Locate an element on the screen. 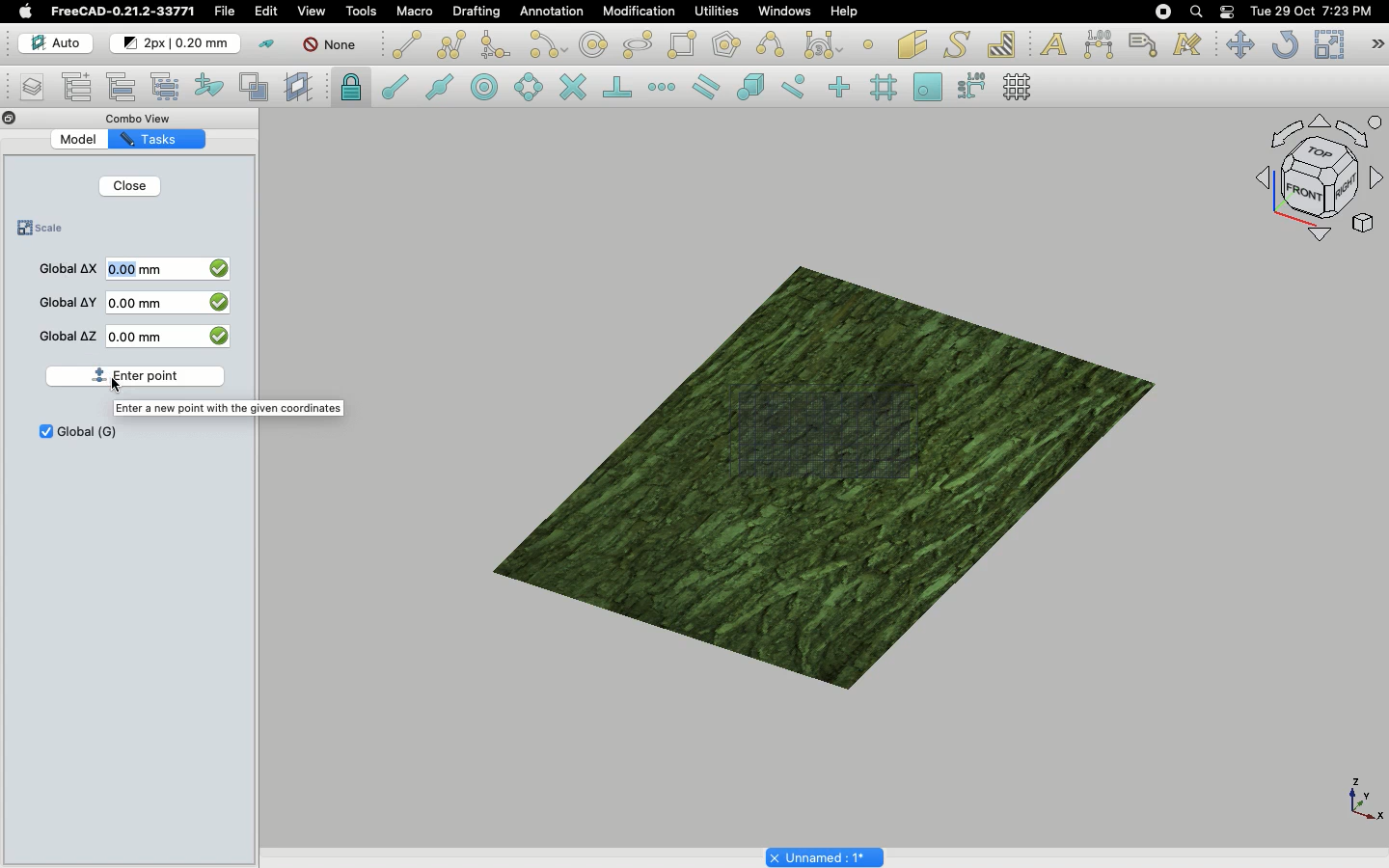 This screenshot has height=868, width=1389. File is located at coordinates (227, 12).